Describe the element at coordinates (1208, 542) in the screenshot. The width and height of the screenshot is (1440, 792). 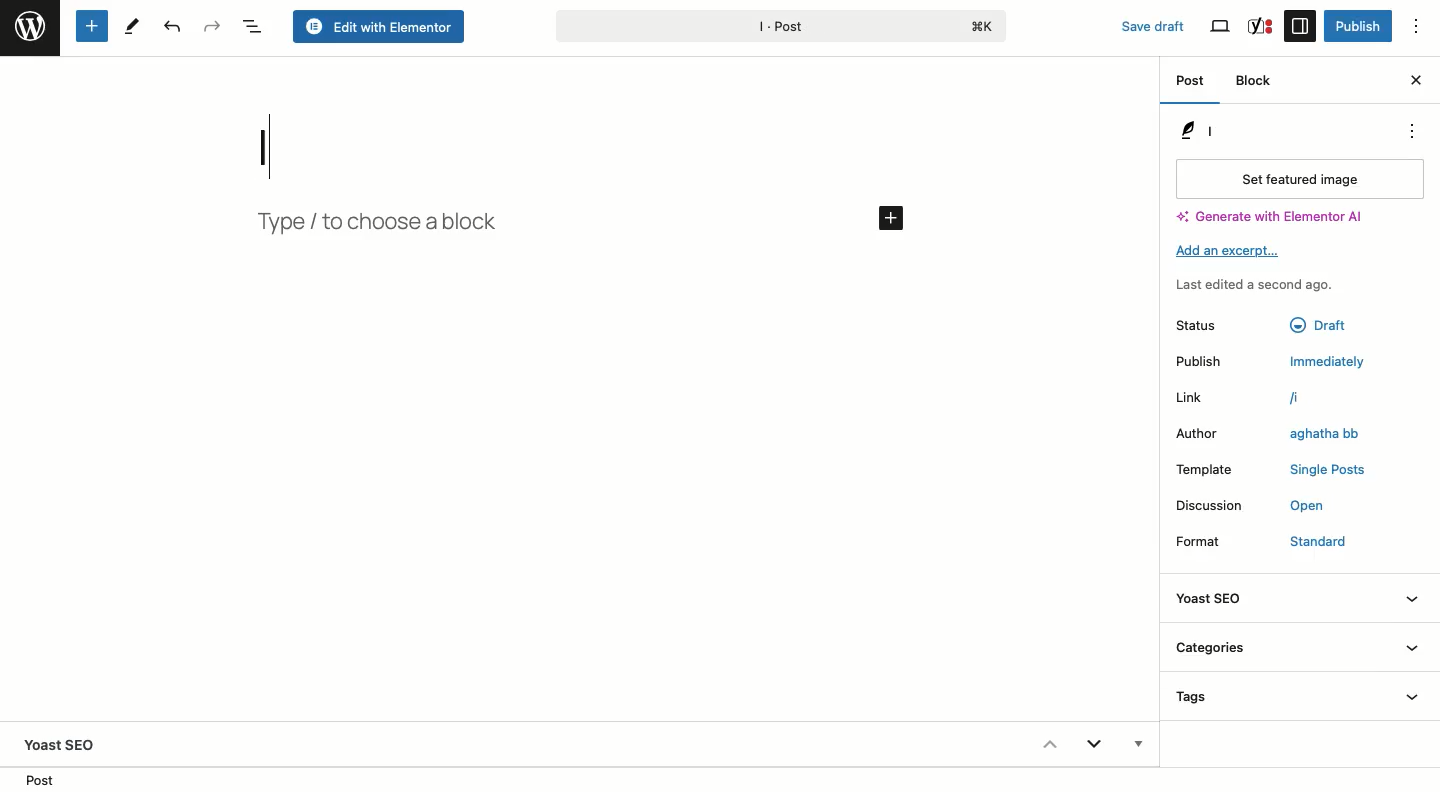
I see `Format` at that location.